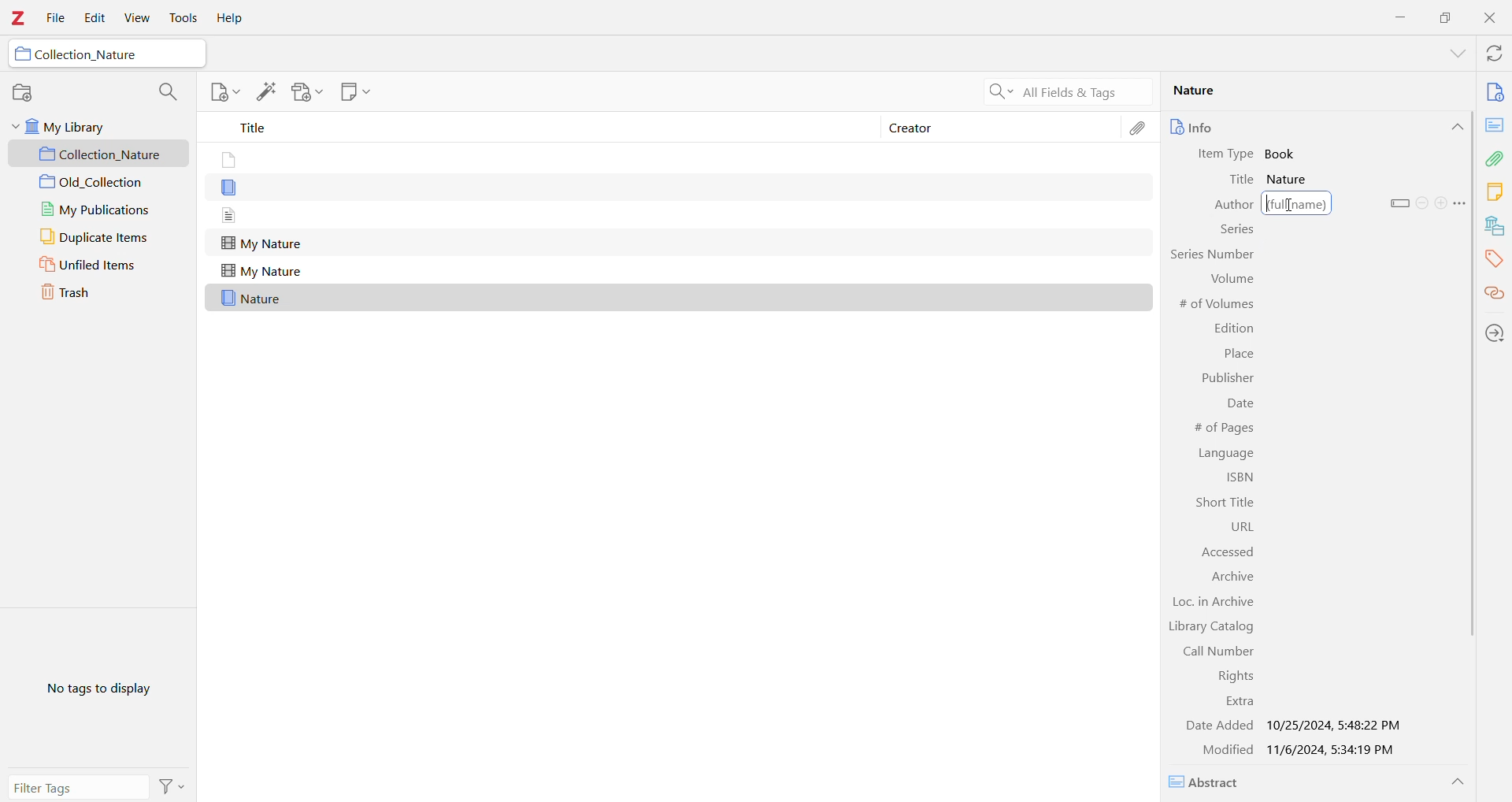 The height and width of the screenshot is (802, 1512). Describe the element at coordinates (1291, 180) in the screenshot. I see `Nature` at that location.